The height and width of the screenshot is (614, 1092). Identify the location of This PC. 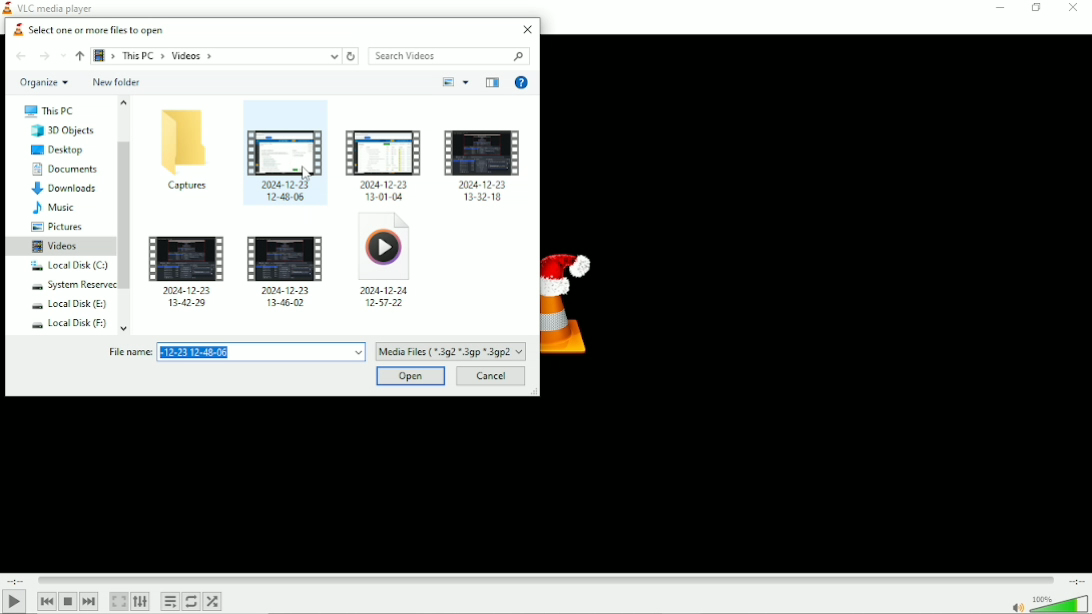
(48, 111).